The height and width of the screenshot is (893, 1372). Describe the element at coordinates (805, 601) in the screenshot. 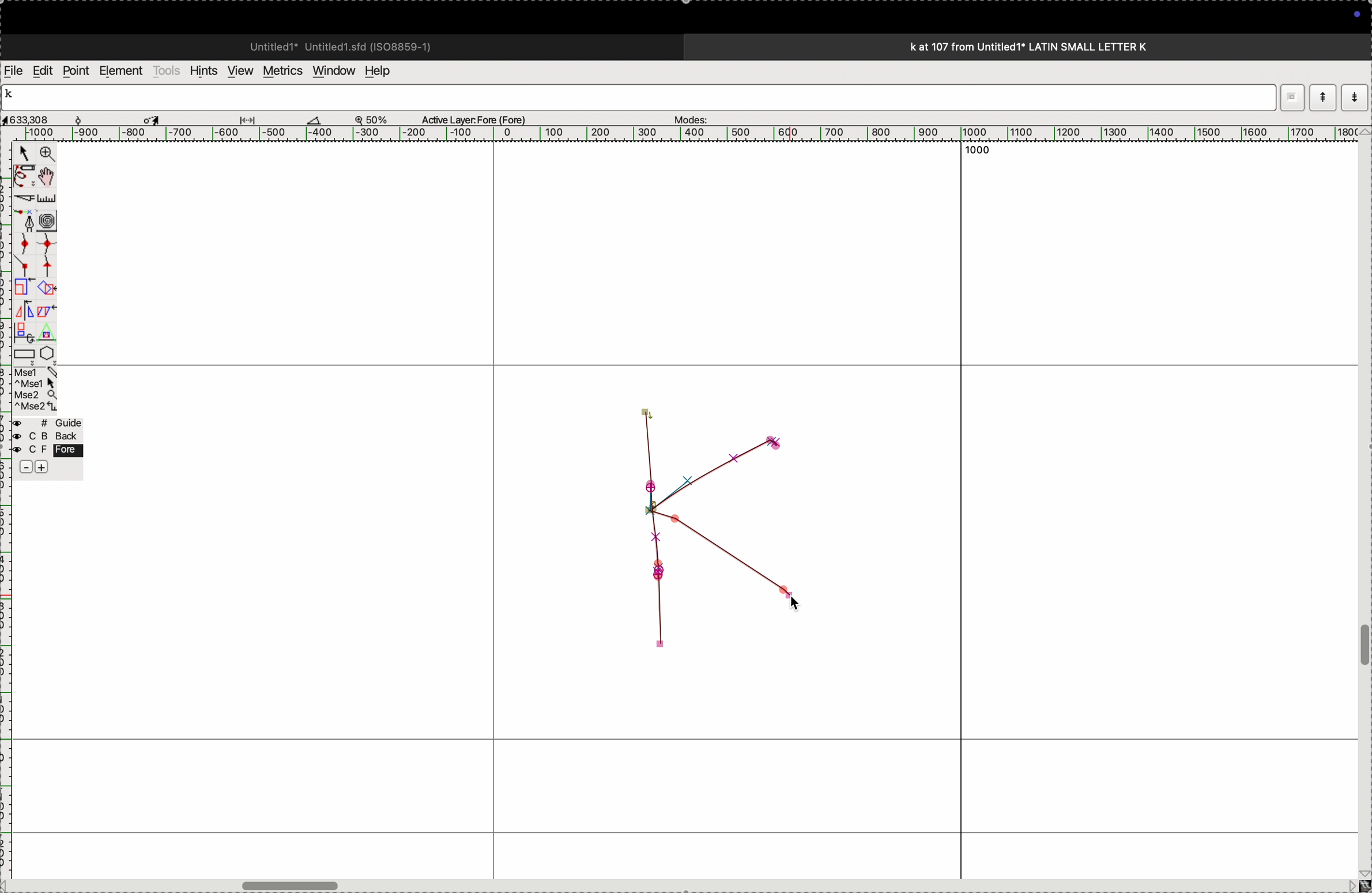

I see `cursor` at that location.